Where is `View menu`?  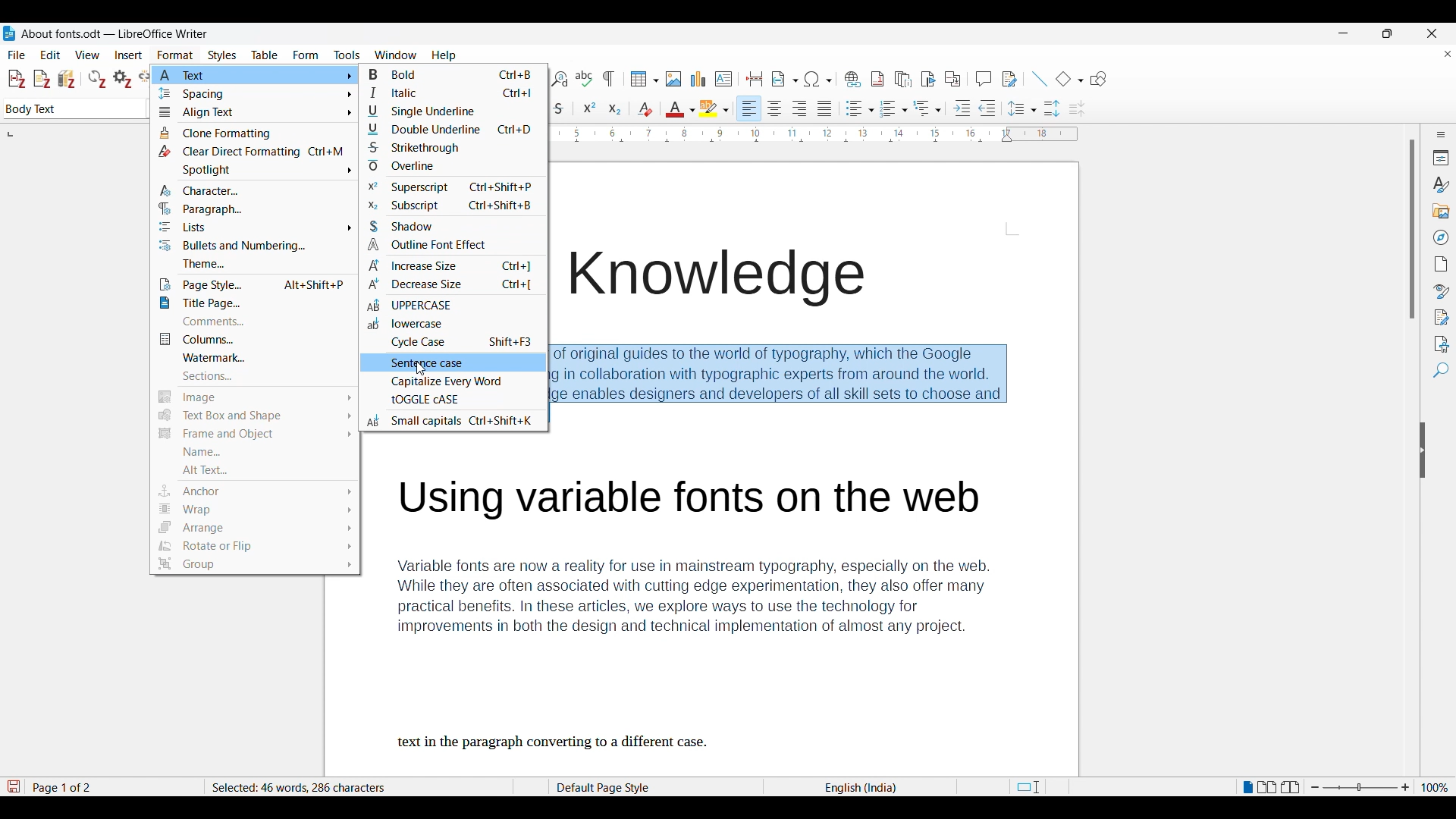 View menu is located at coordinates (88, 55).